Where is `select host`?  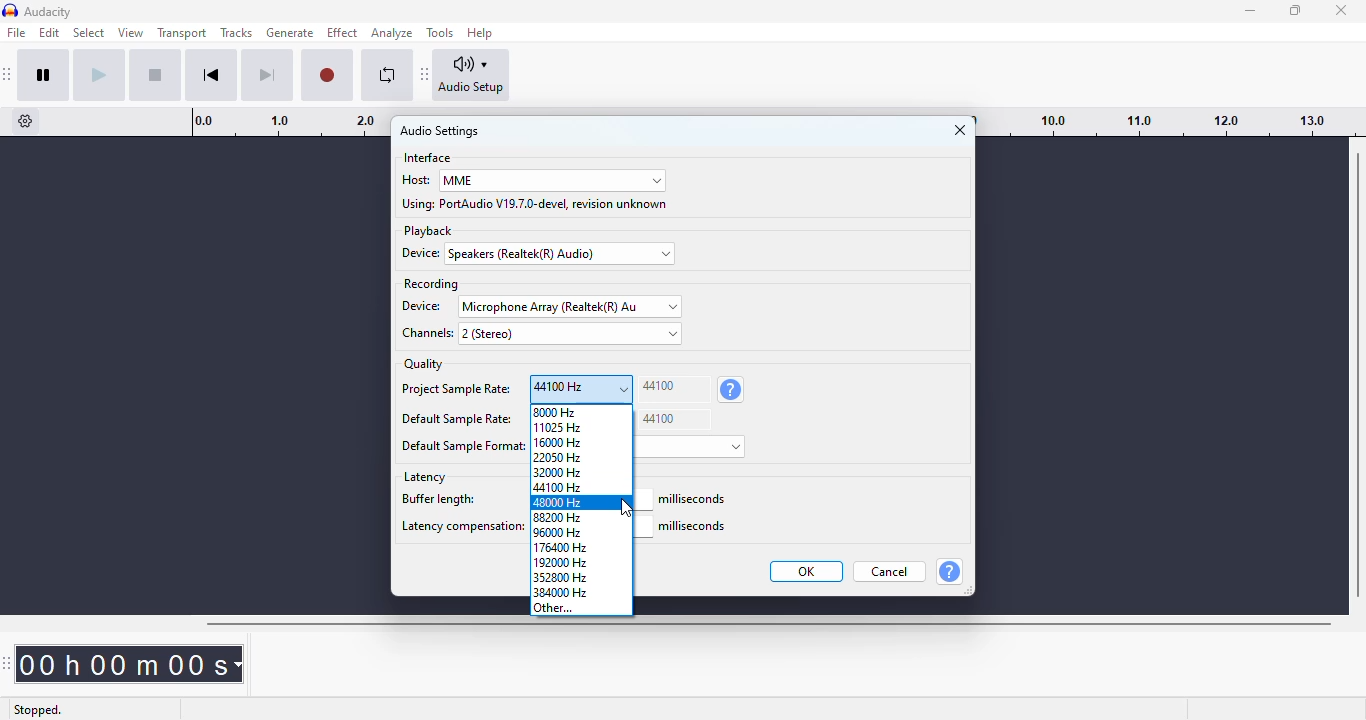 select host is located at coordinates (552, 181).